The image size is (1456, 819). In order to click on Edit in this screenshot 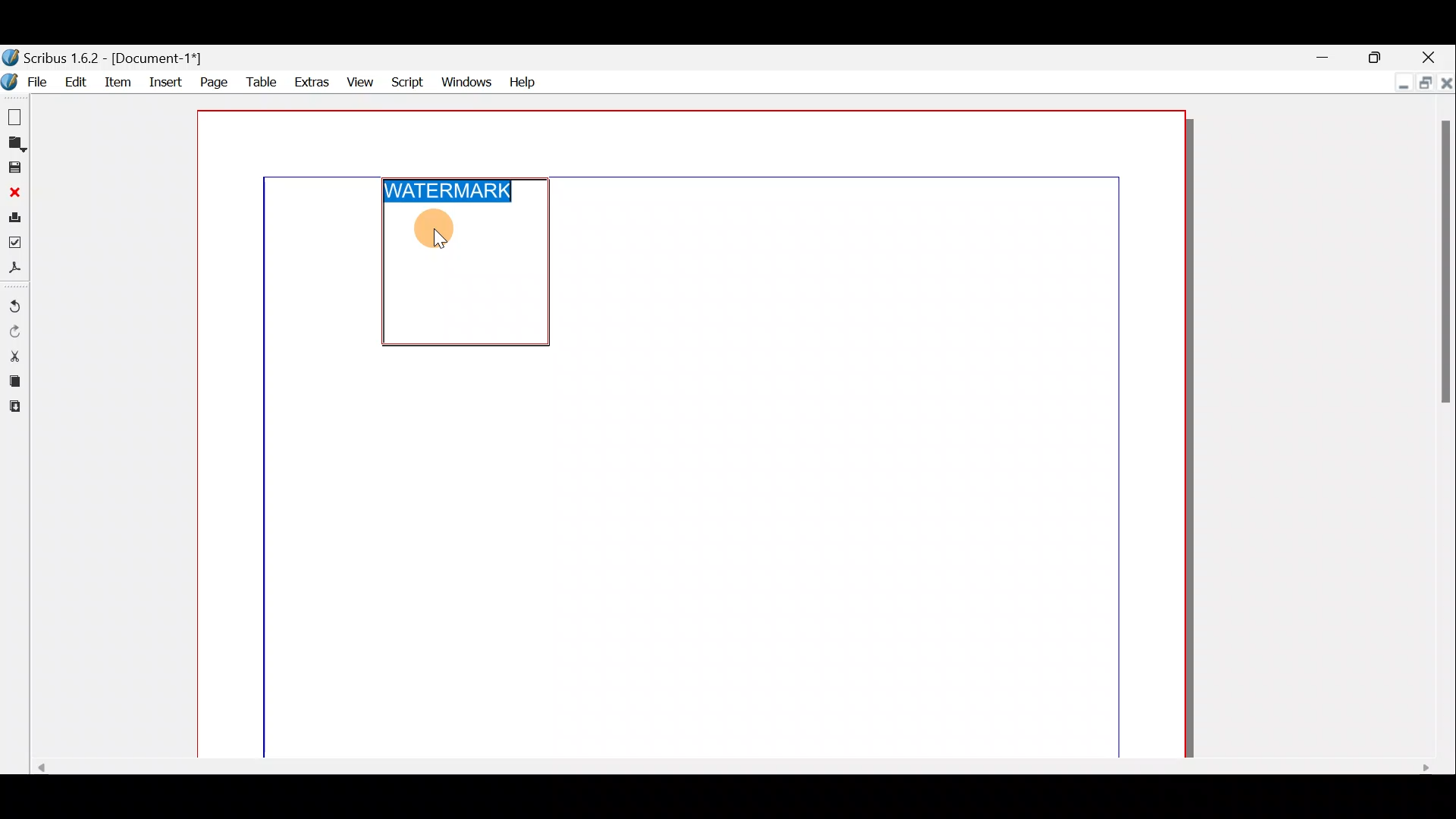, I will do `click(77, 81)`.